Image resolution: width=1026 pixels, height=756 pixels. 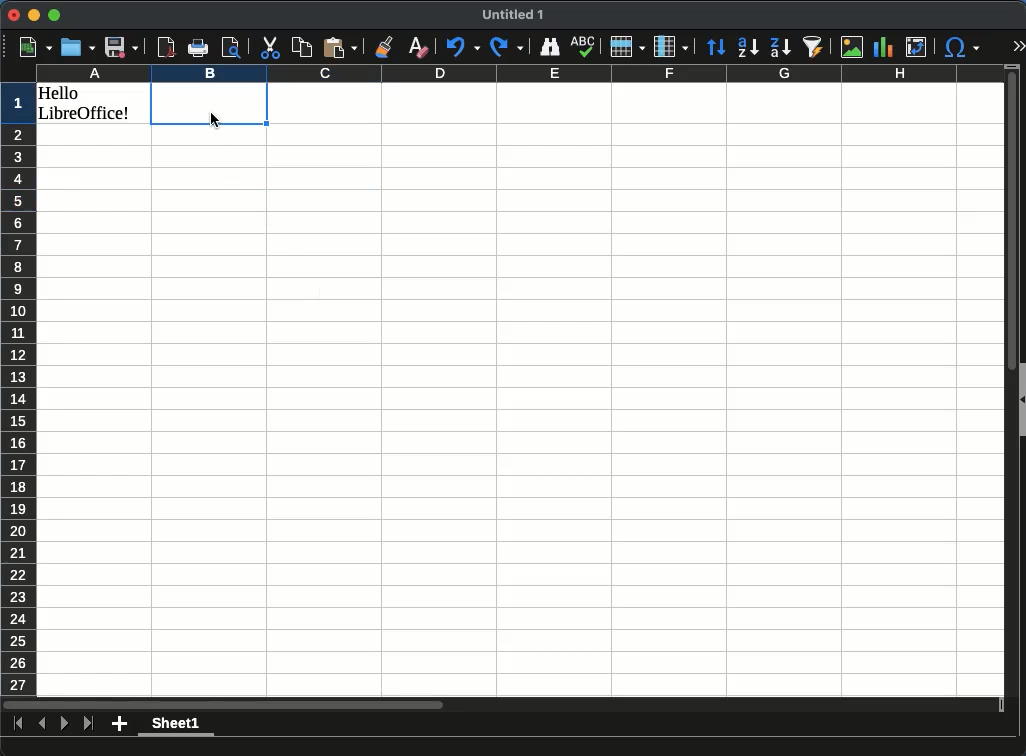 I want to click on finder, so click(x=550, y=47).